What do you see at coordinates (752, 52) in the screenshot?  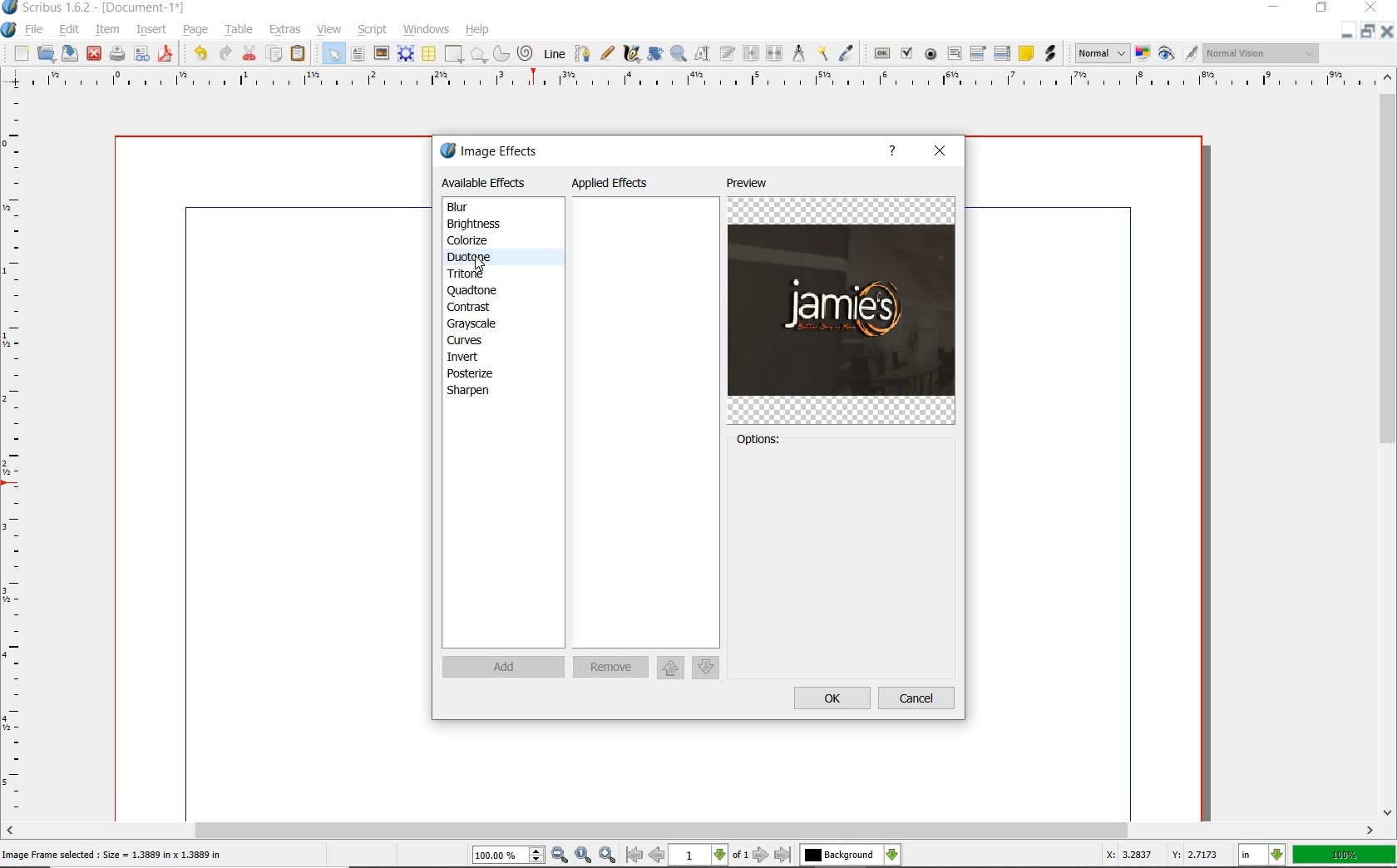 I see `link text frames` at bounding box center [752, 52].